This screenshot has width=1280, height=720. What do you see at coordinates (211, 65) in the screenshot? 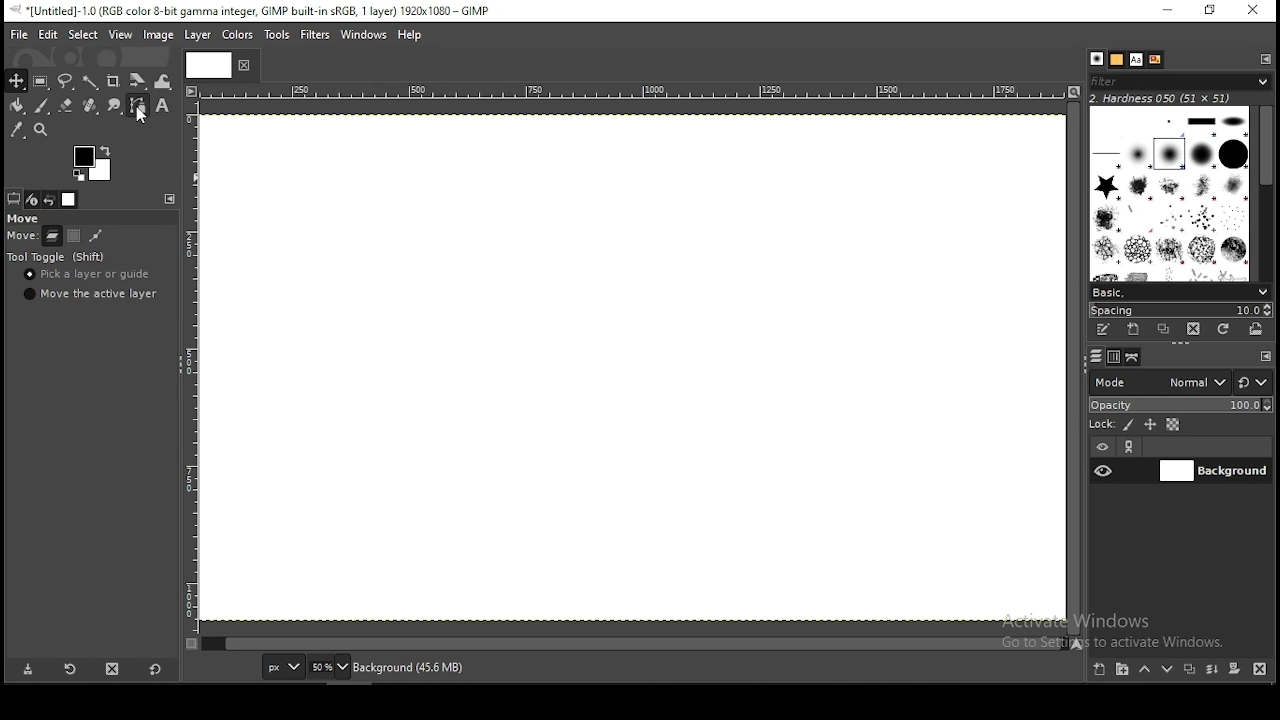
I see `tab` at bounding box center [211, 65].